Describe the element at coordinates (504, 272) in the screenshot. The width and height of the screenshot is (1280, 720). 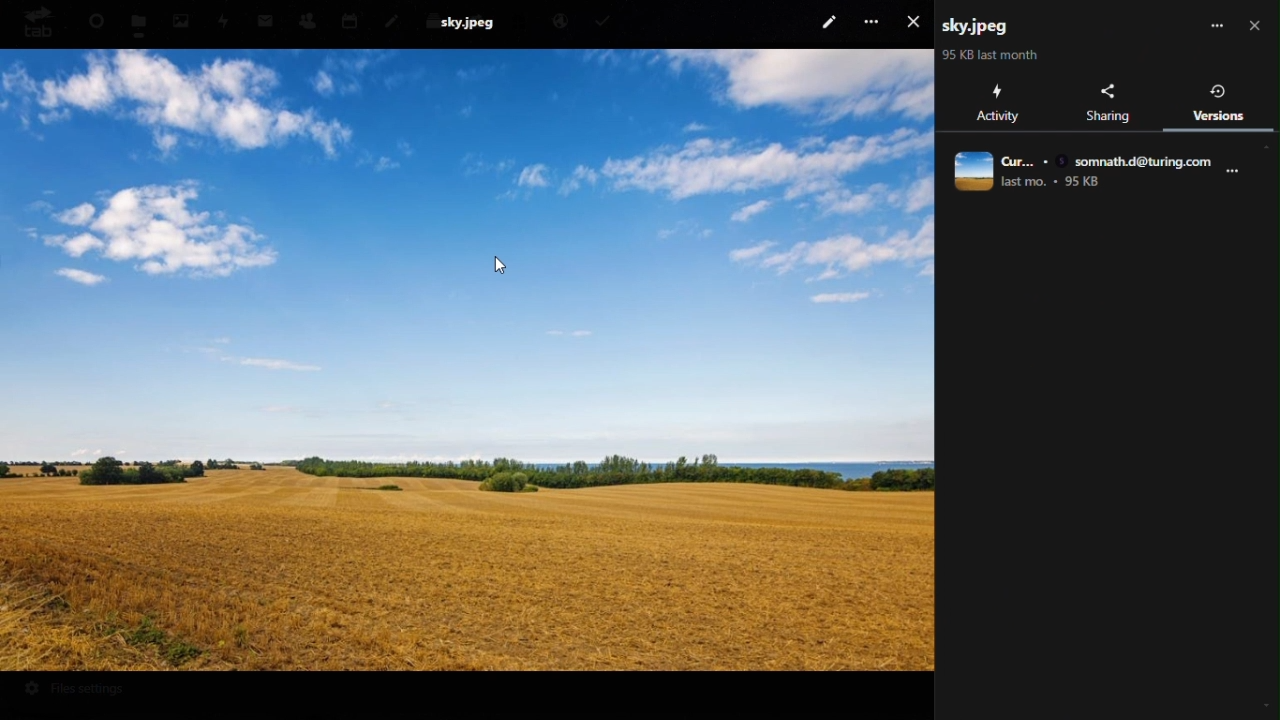
I see `Cursor` at that location.